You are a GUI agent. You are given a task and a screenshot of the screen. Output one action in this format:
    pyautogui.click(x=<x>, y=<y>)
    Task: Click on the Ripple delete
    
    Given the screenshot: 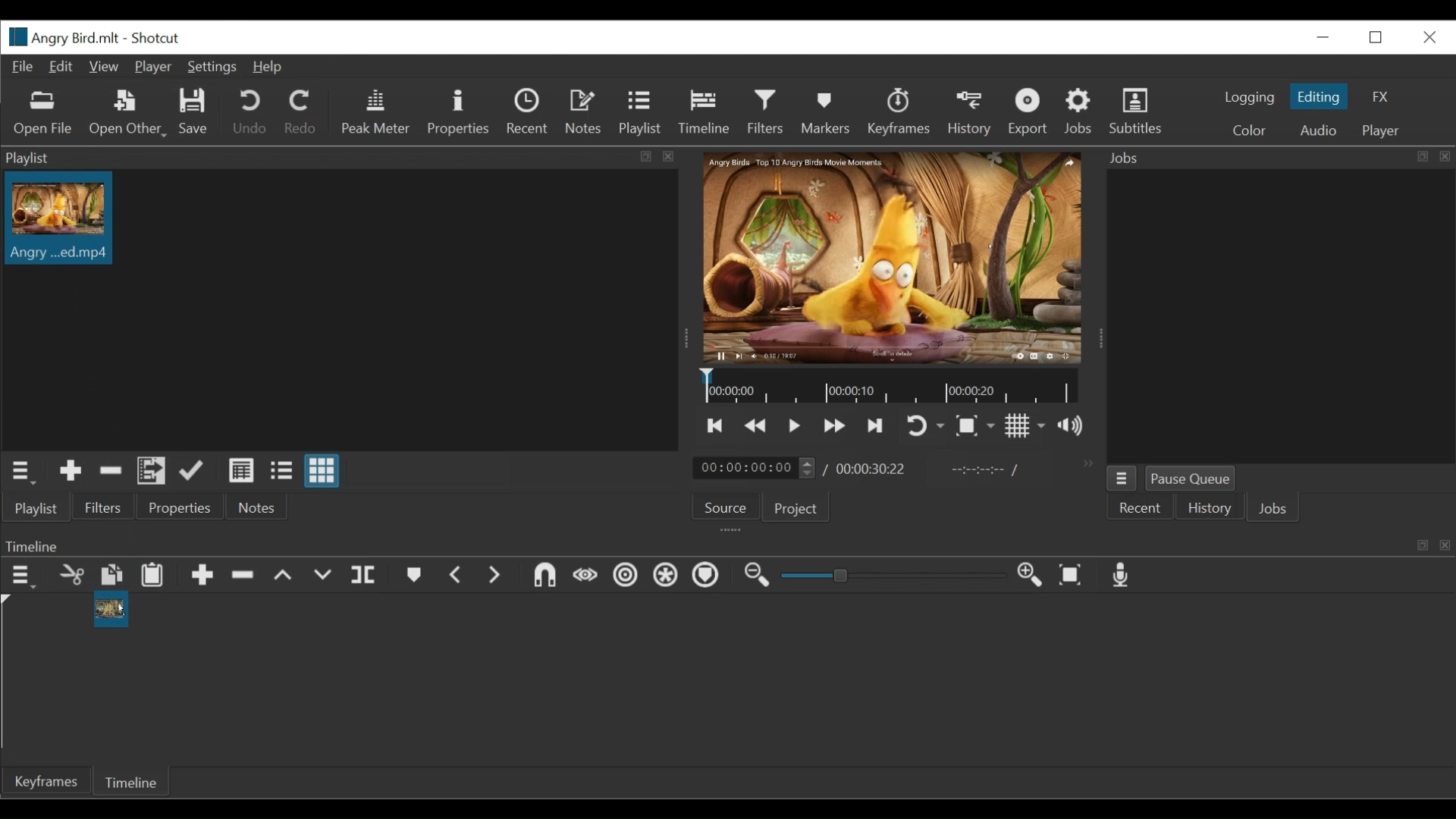 What is the action you would take?
    pyautogui.click(x=243, y=576)
    